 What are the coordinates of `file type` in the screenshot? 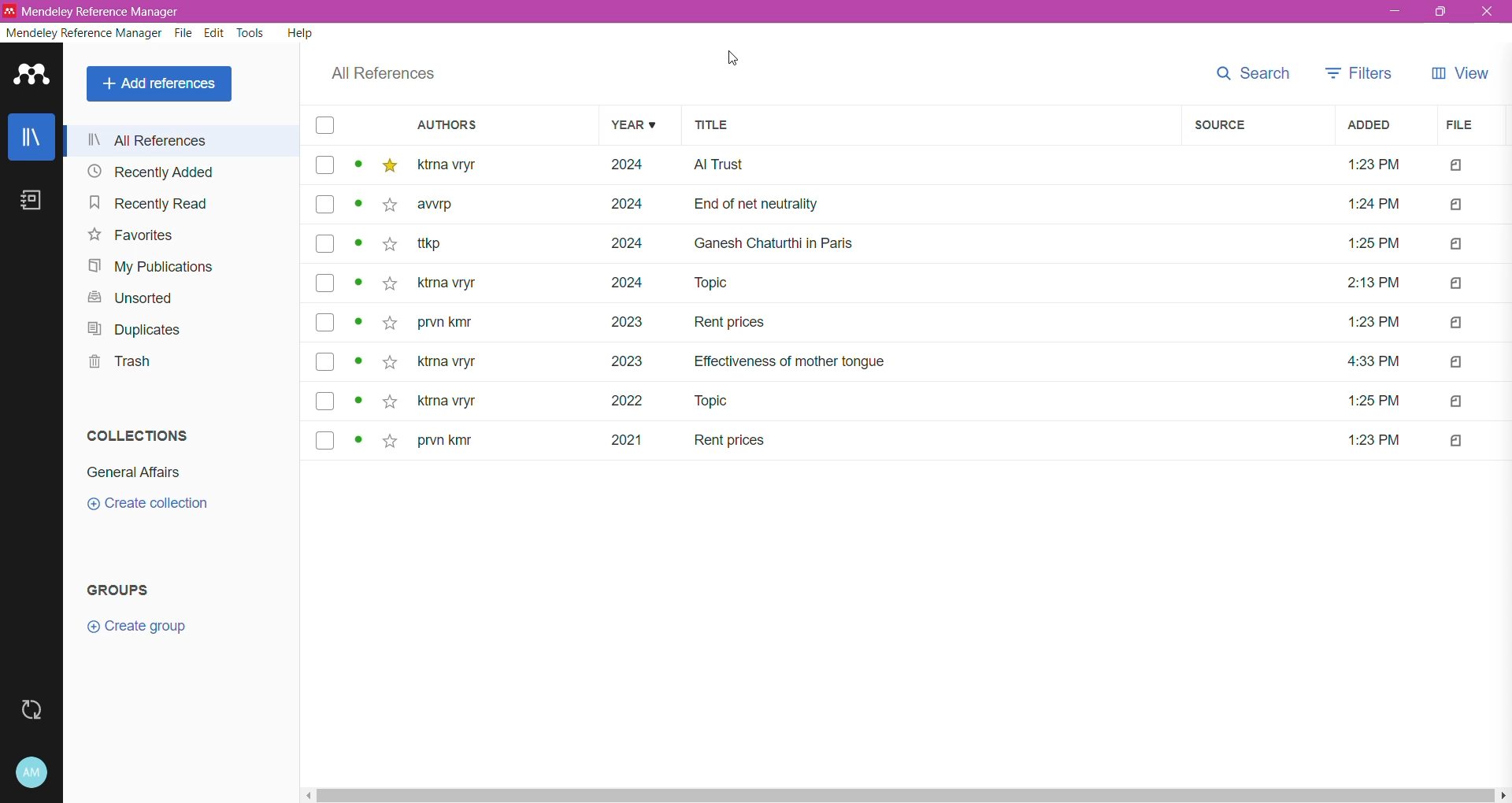 It's located at (1458, 322).